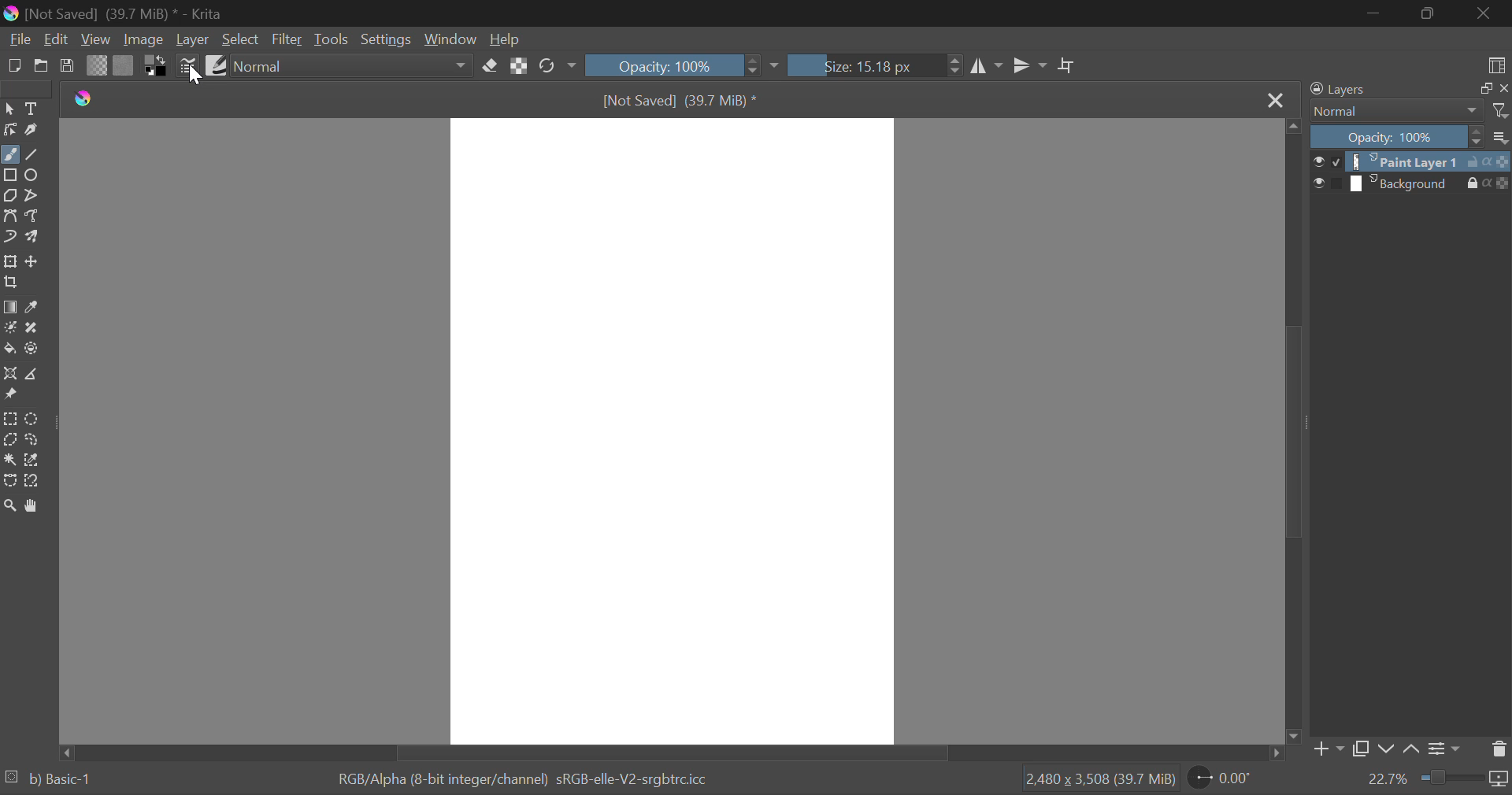 This screenshot has width=1512, height=795. What do you see at coordinates (32, 153) in the screenshot?
I see `Line` at bounding box center [32, 153].